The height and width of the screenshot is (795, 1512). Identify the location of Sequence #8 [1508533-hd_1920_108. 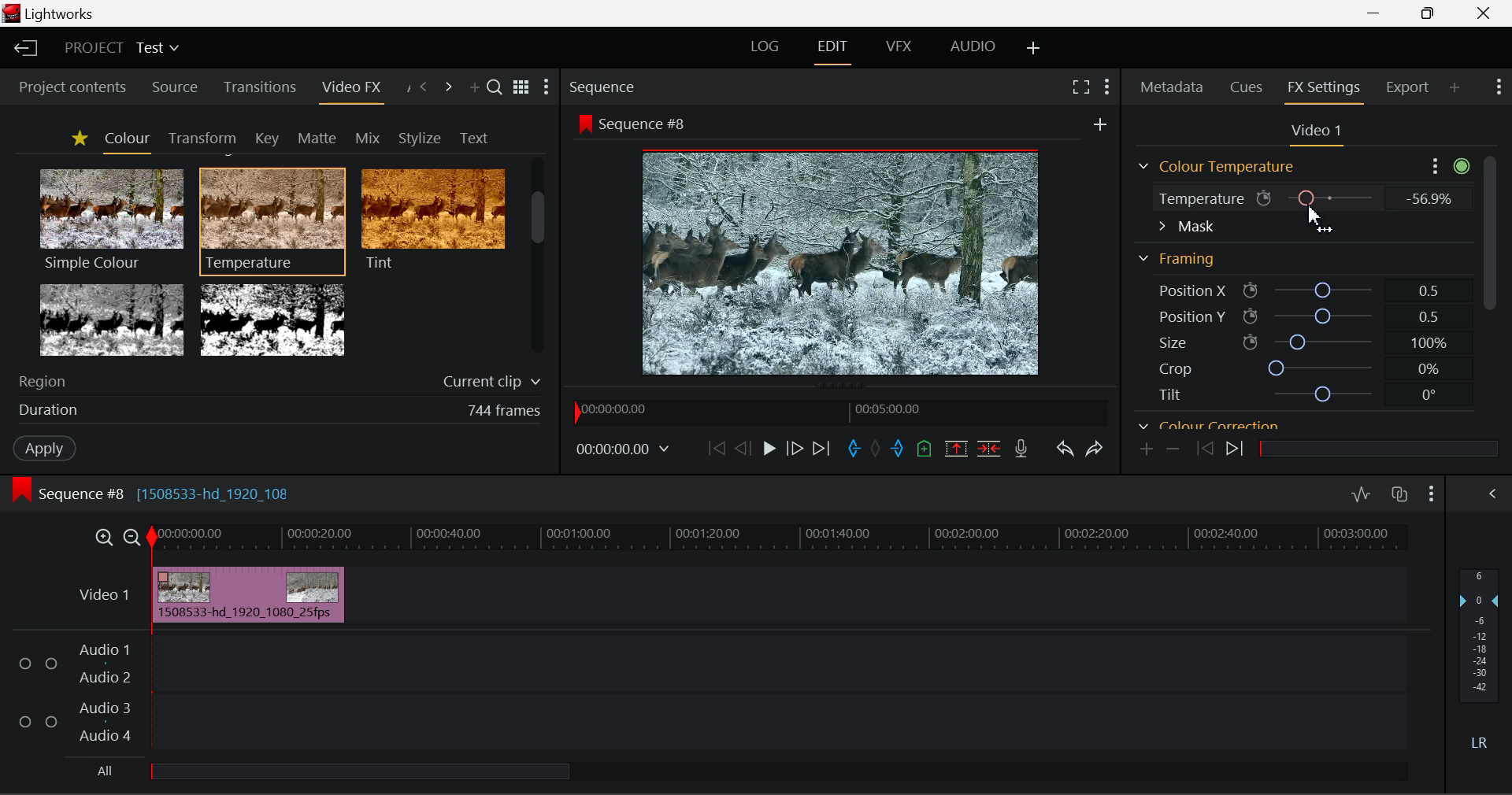
(169, 490).